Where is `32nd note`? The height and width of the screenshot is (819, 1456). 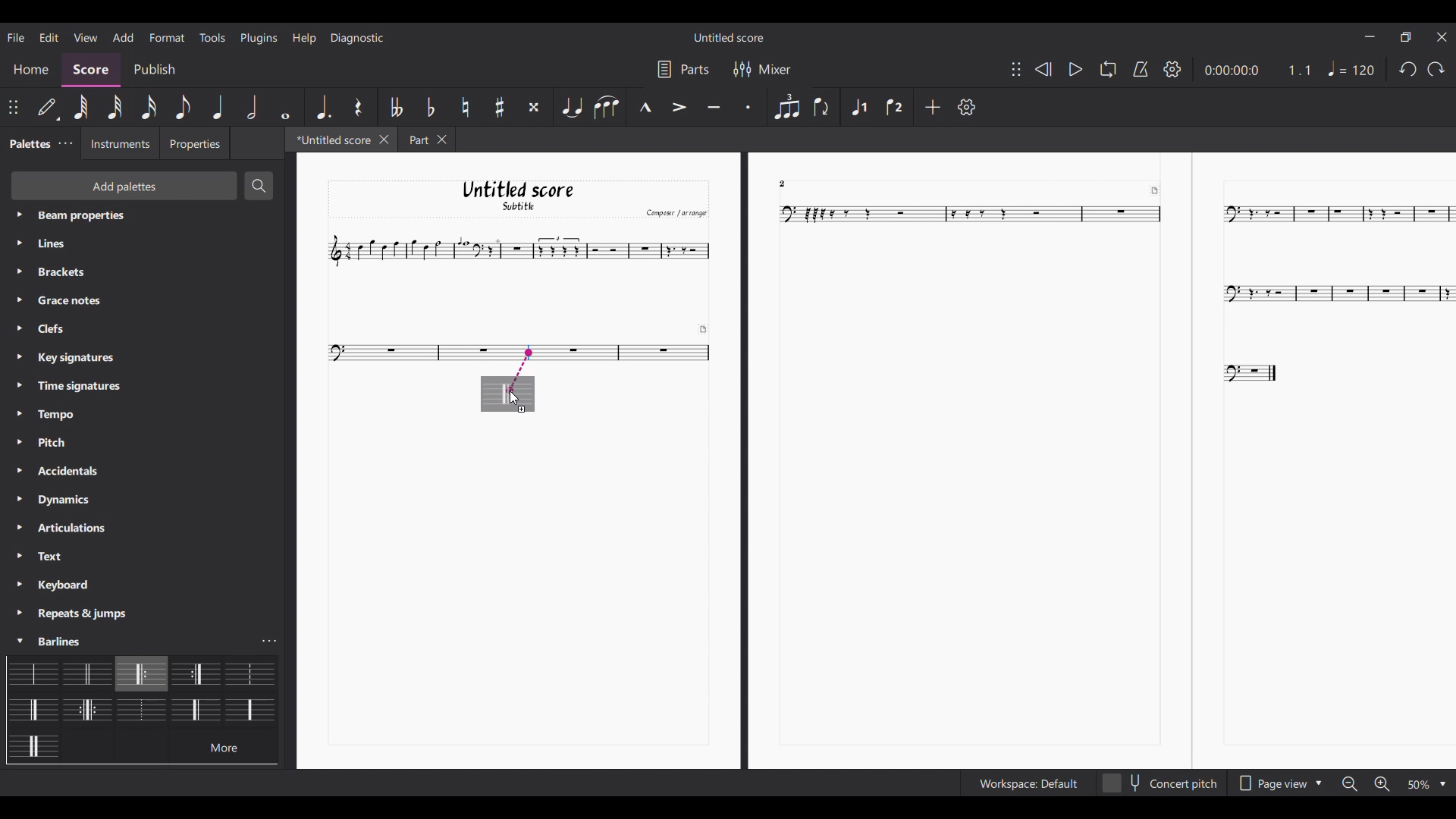 32nd note is located at coordinates (115, 107).